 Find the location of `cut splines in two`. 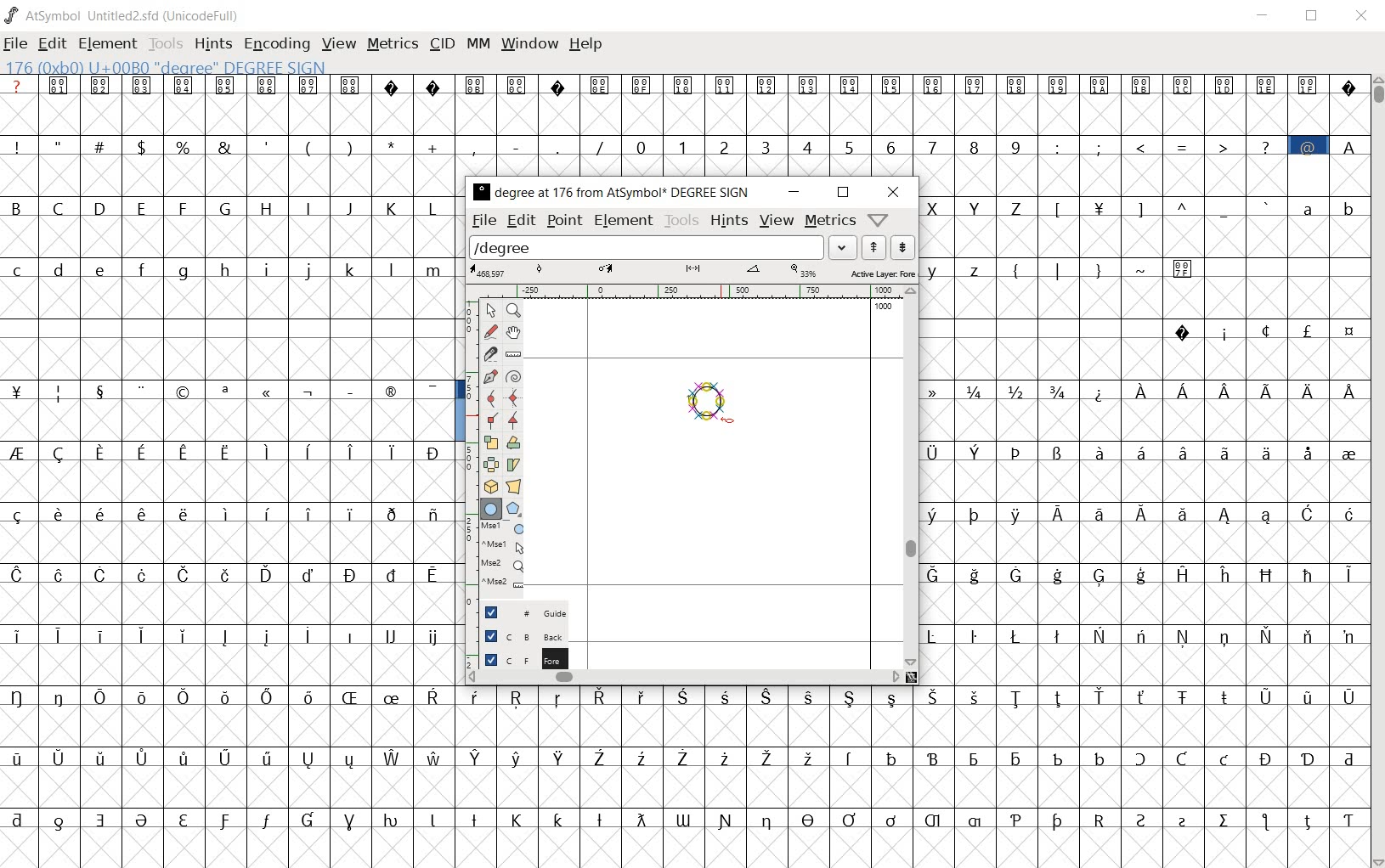

cut splines in two is located at coordinates (489, 353).